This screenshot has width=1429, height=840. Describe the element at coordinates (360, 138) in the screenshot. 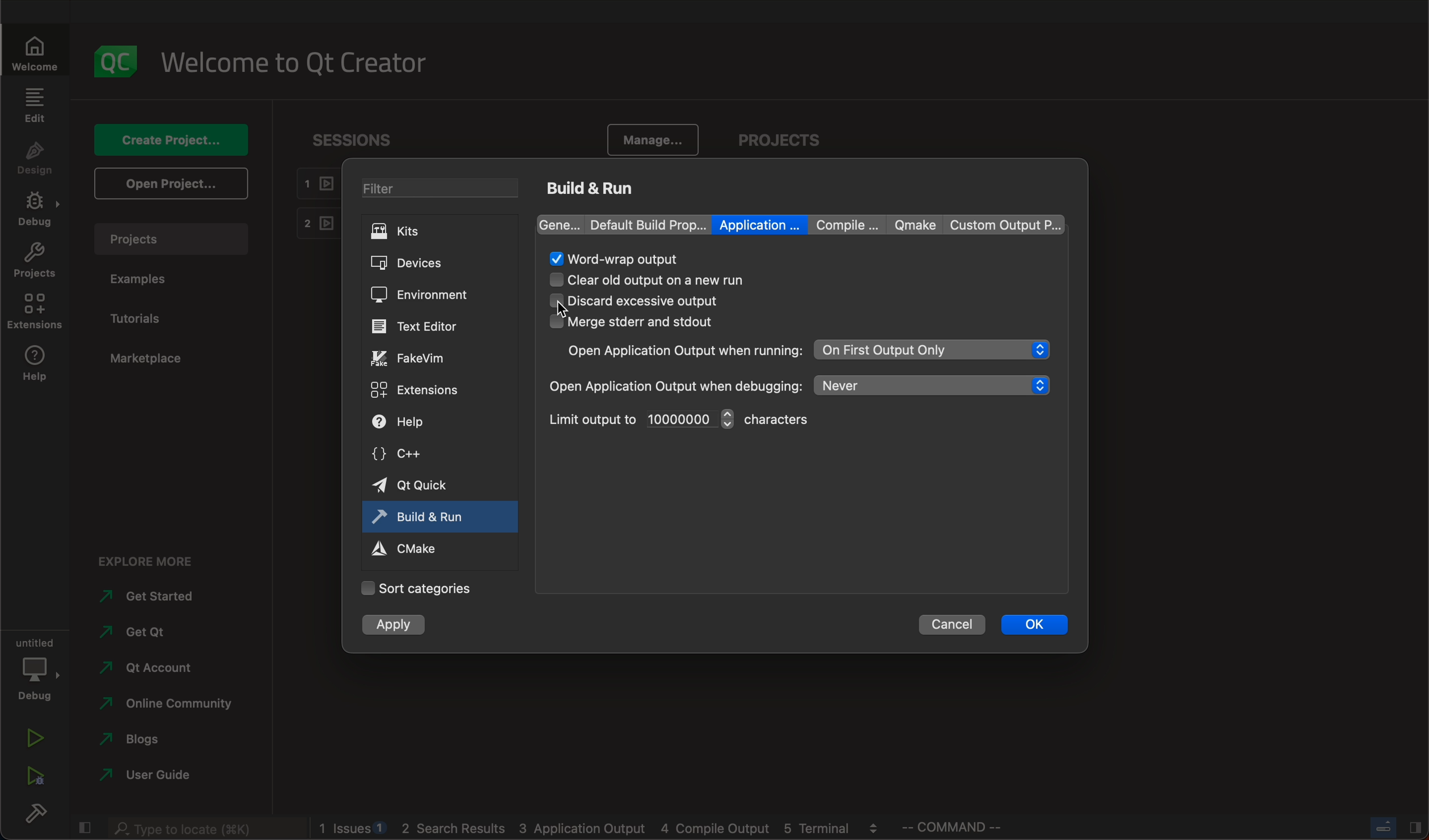

I see `sessions` at that location.